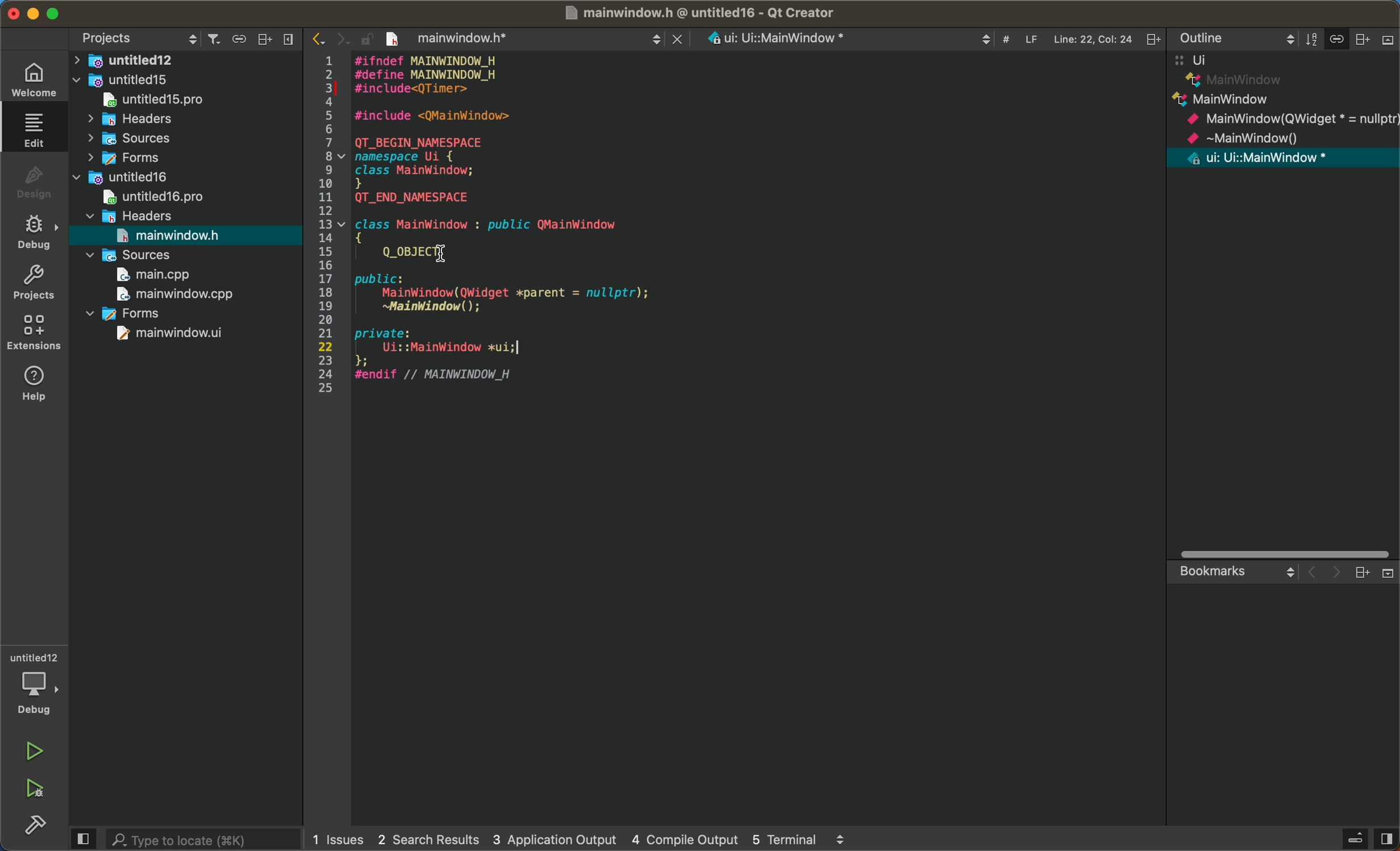 This screenshot has height=851, width=1400. Describe the element at coordinates (511, 221) in the screenshot. I see `new code` at that location.